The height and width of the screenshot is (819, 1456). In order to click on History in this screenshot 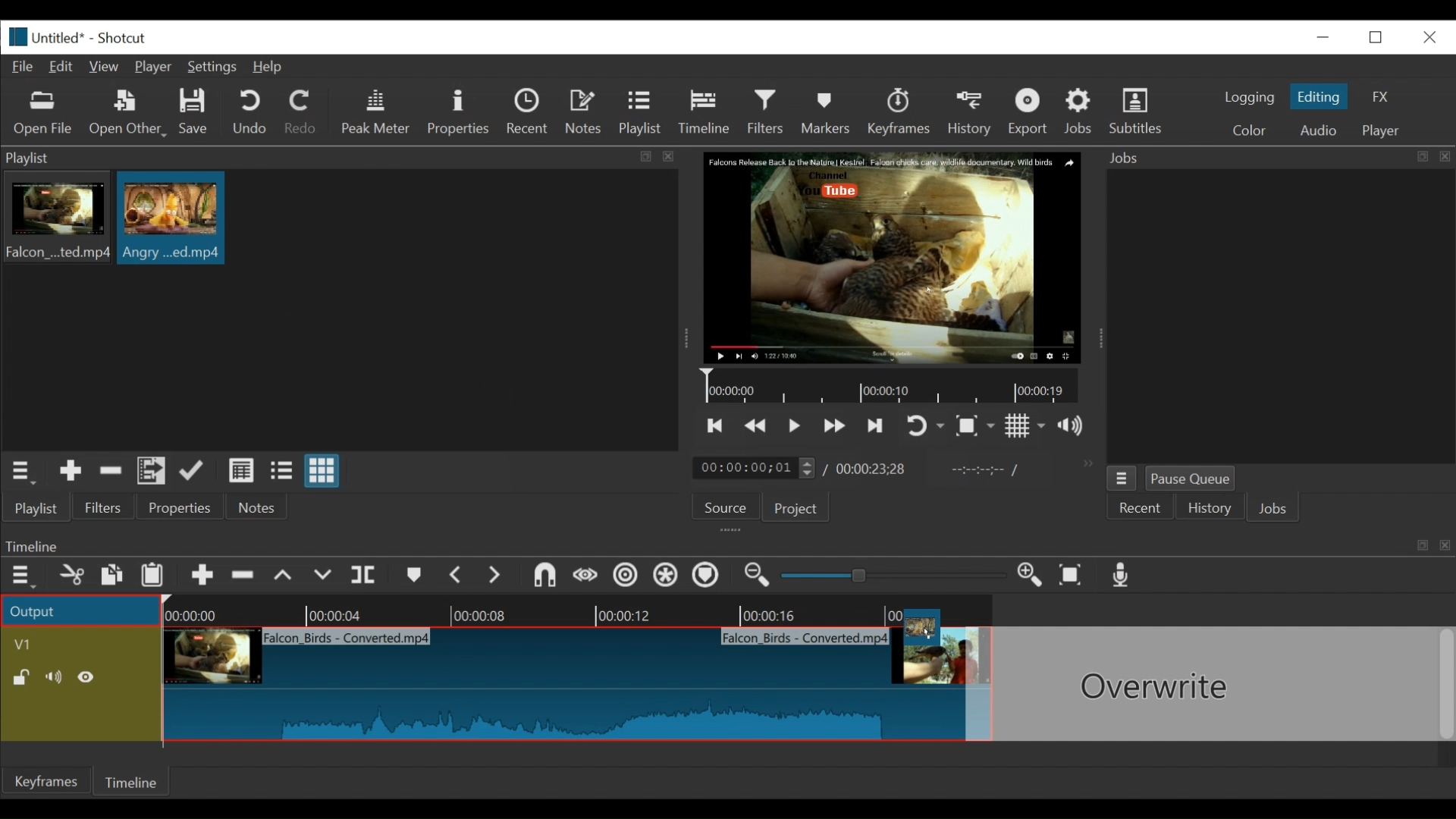, I will do `click(972, 111)`.